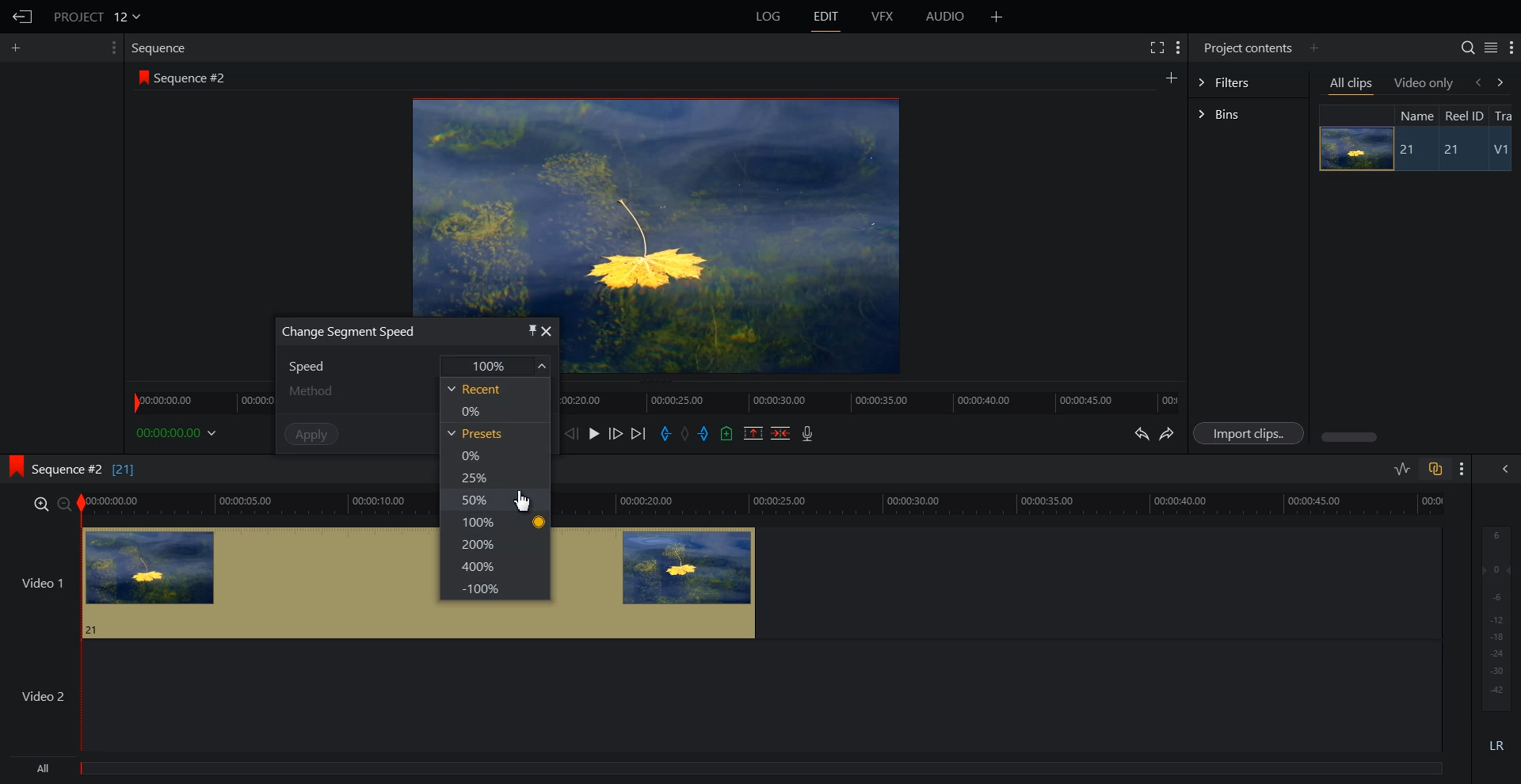 The image size is (1521, 784). Describe the element at coordinates (1491, 48) in the screenshot. I see `Toggle between list and tile view` at that location.